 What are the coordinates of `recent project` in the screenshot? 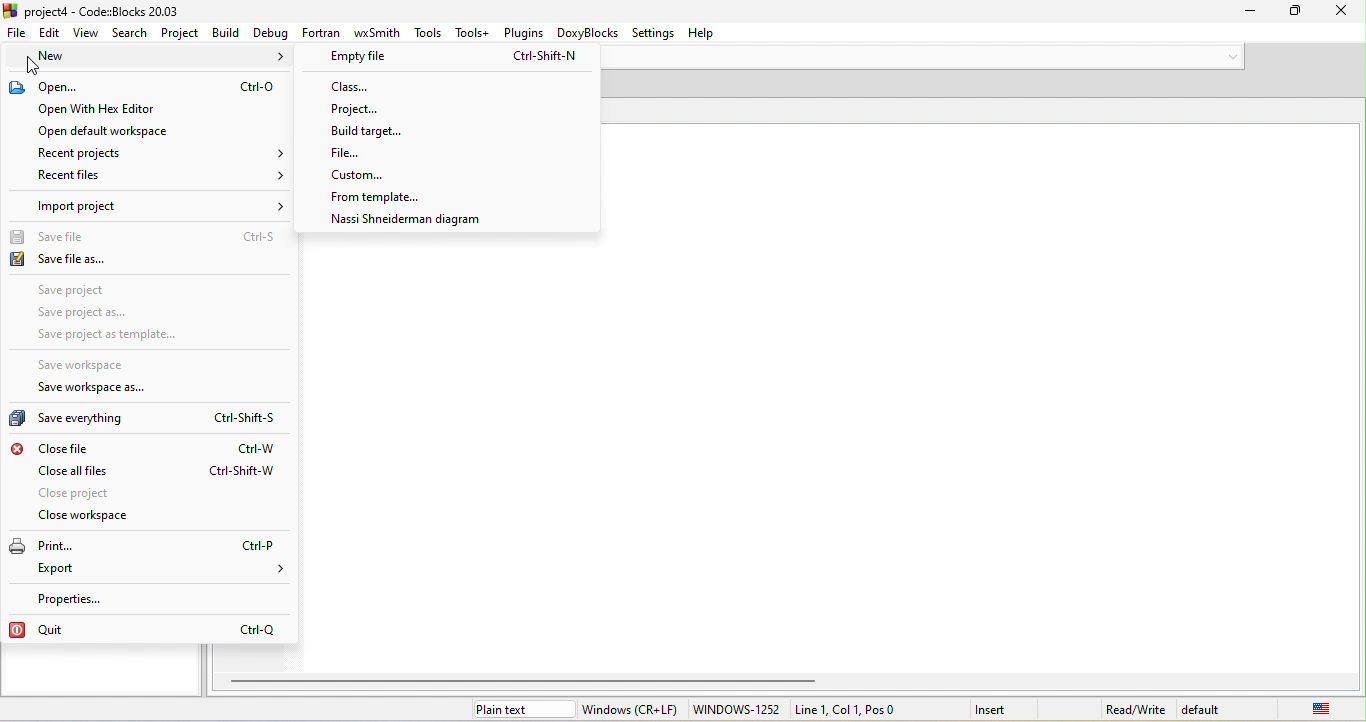 It's located at (149, 155).